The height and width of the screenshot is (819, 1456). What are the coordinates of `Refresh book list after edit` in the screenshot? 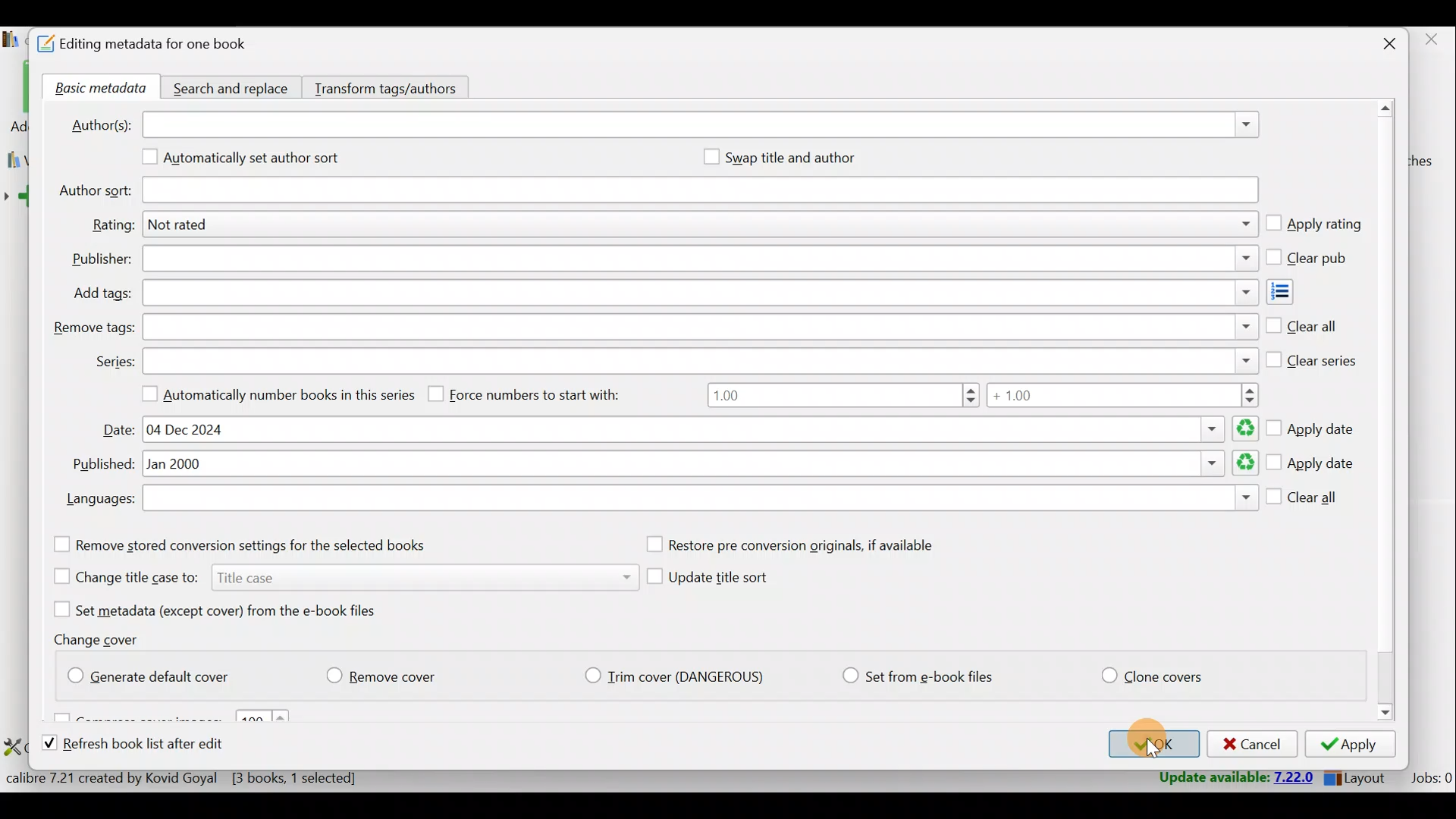 It's located at (147, 745).